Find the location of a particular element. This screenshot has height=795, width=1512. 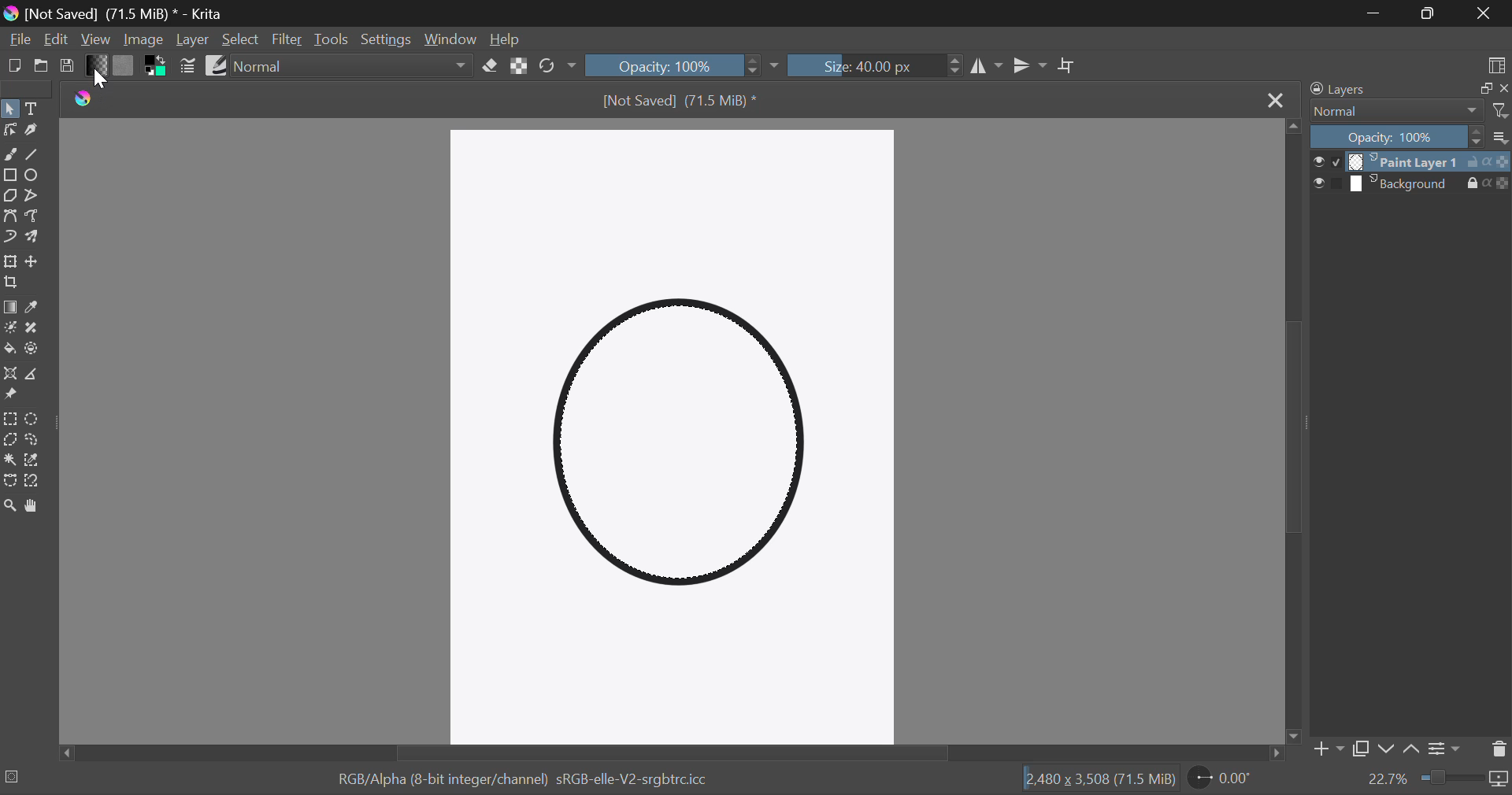

Copy Layer is located at coordinates (1362, 749).